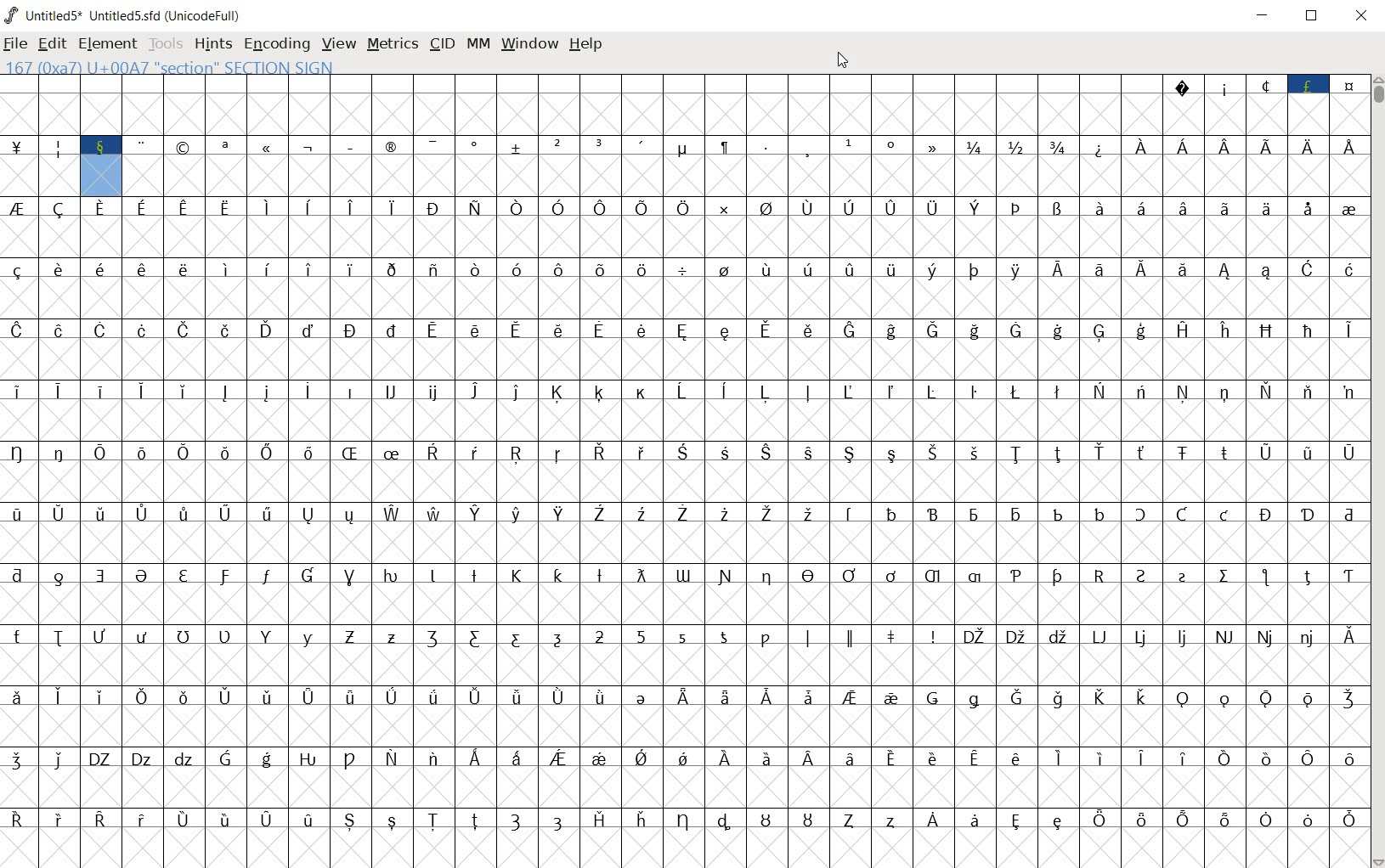 This screenshot has height=868, width=1385. What do you see at coordinates (767, 227) in the screenshot?
I see `symbol` at bounding box center [767, 227].